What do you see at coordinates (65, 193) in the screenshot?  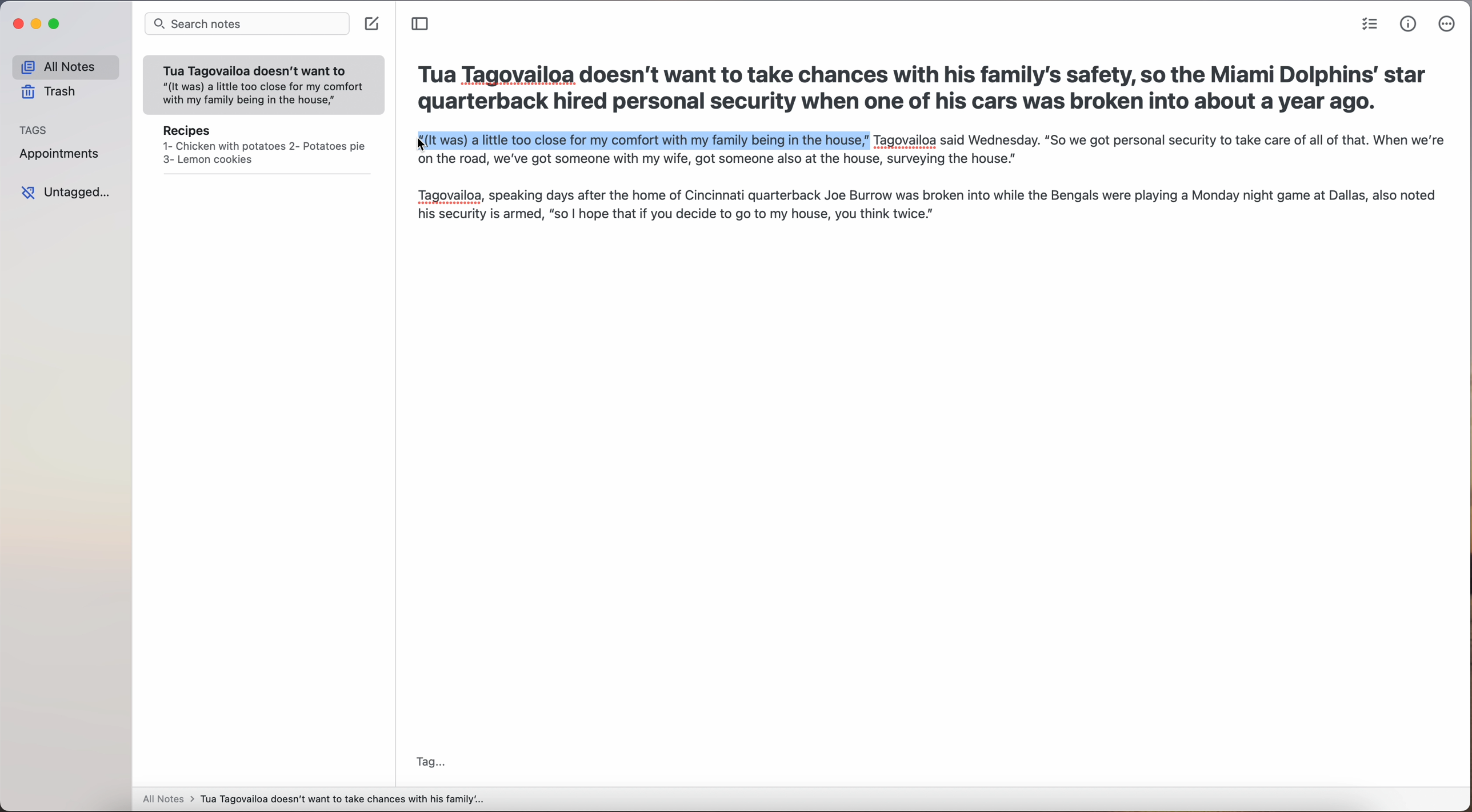 I see `untagged` at bounding box center [65, 193].